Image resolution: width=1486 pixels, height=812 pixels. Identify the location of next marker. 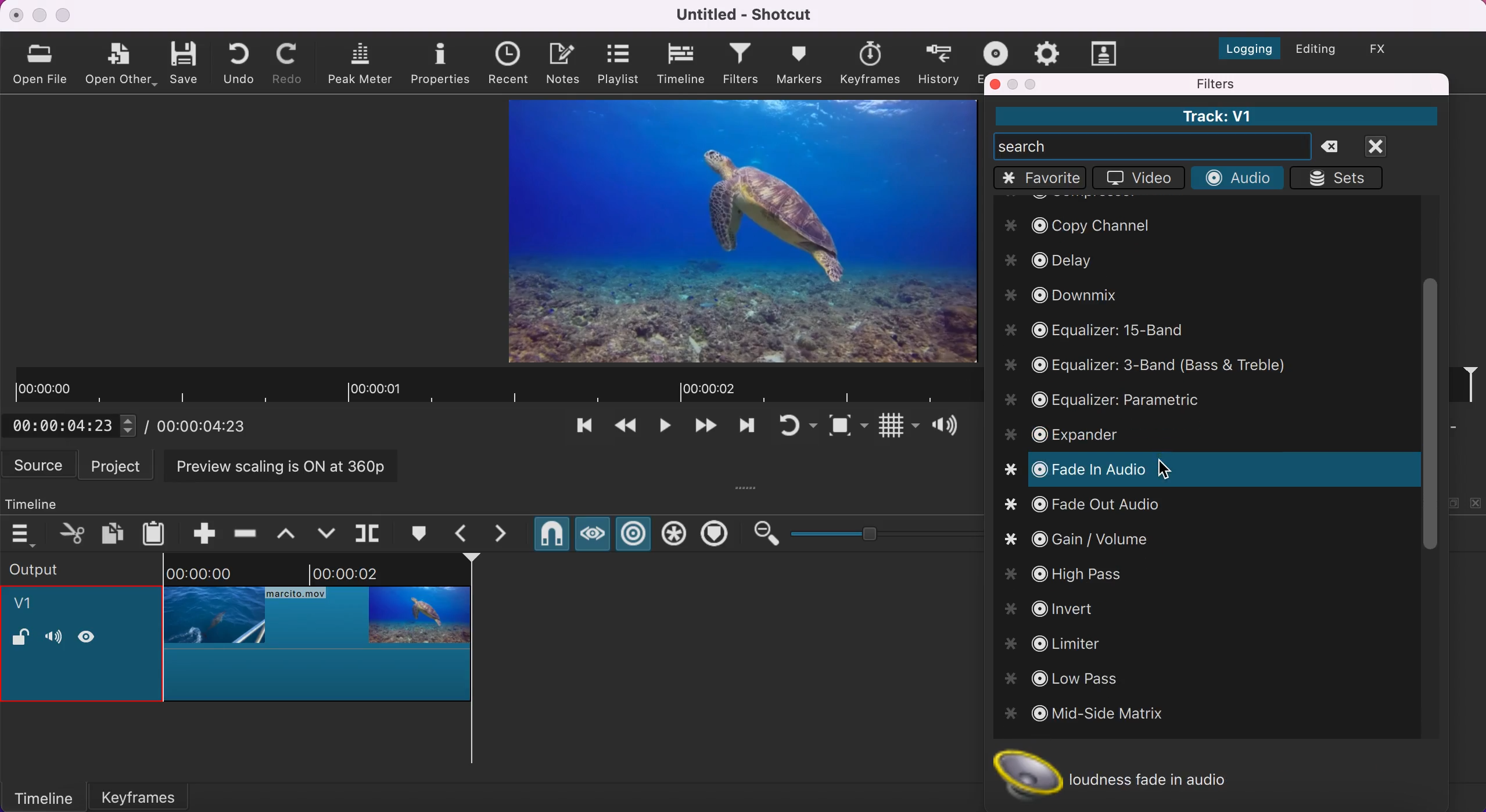
(508, 534).